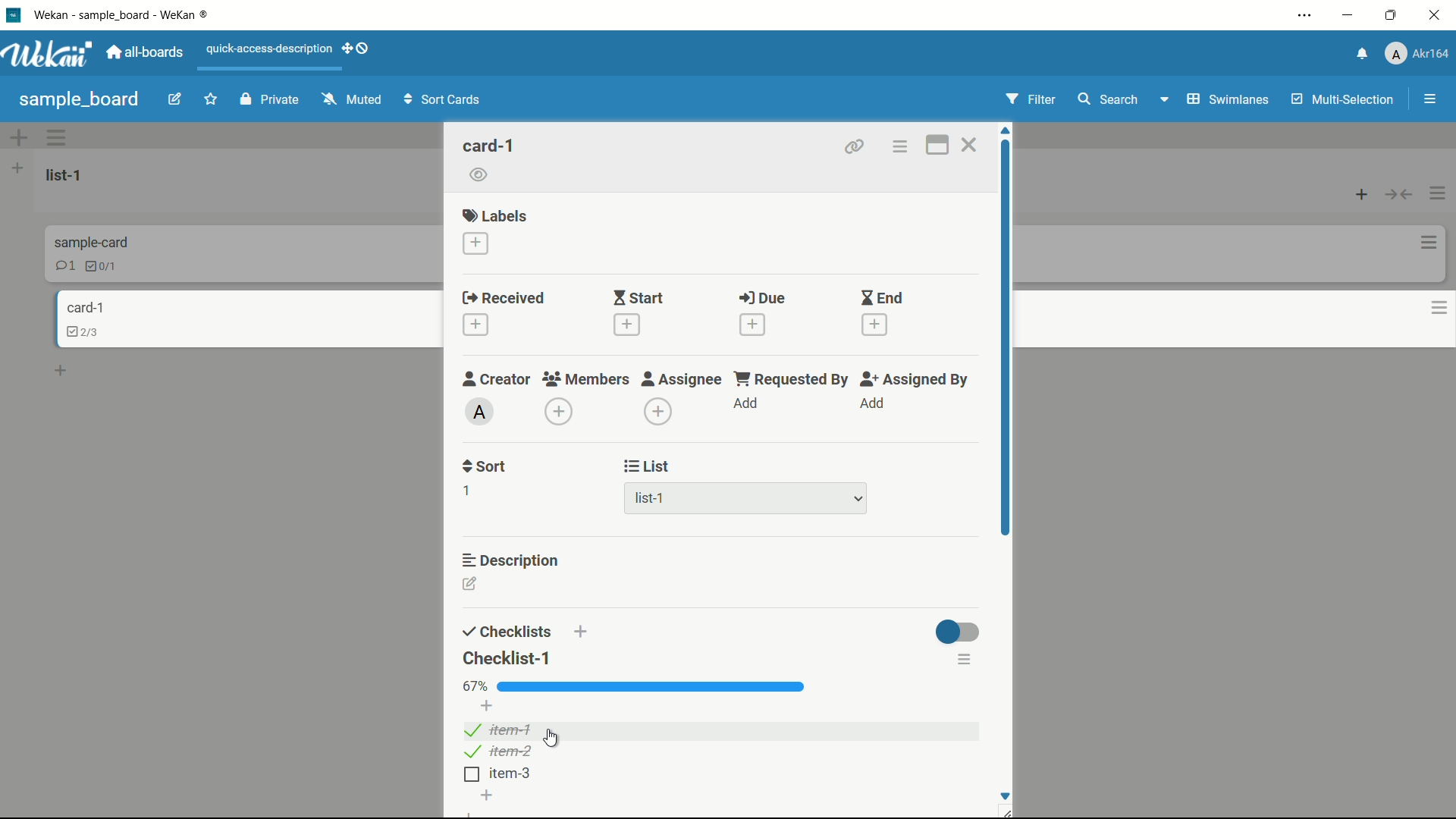 Image resolution: width=1456 pixels, height=819 pixels. What do you see at coordinates (961, 632) in the screenshot?
I see `toggle button` at bounding box center [961, 632].